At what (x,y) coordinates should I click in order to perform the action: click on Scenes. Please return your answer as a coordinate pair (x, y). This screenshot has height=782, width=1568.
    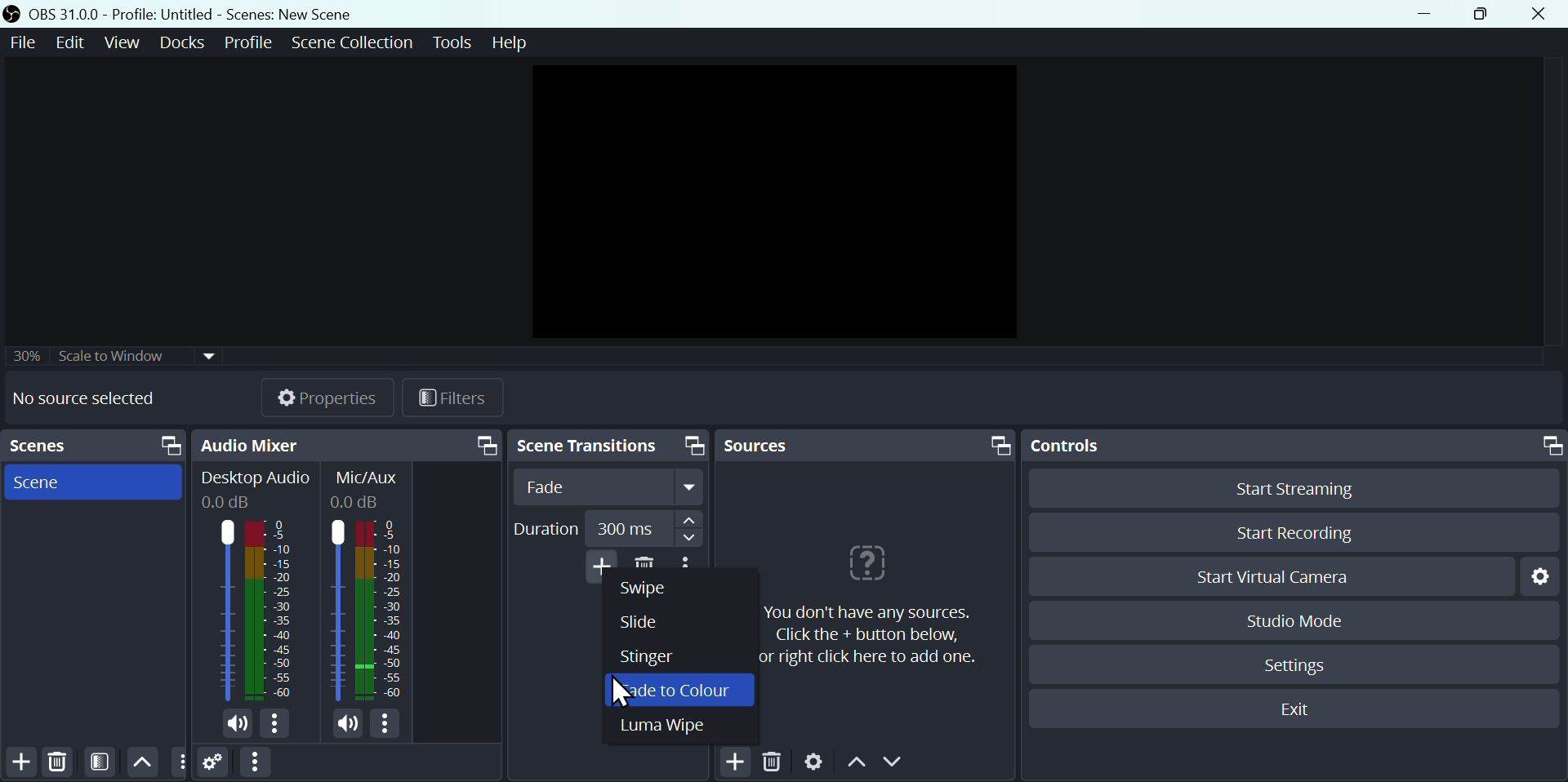
    Looking at the image, I should click on (97, 446).